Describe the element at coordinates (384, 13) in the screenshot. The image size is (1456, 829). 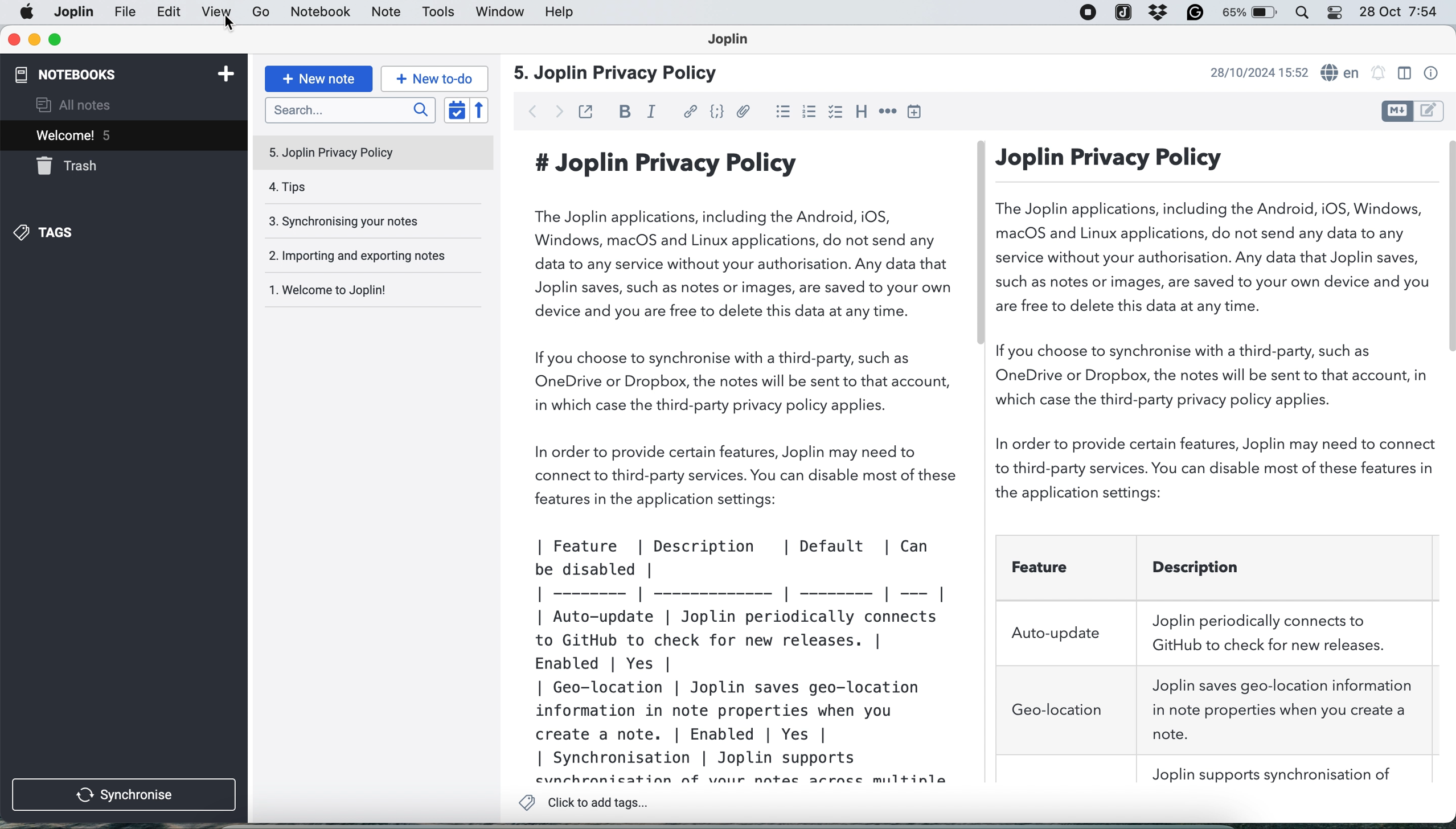
I see `note` at that location.